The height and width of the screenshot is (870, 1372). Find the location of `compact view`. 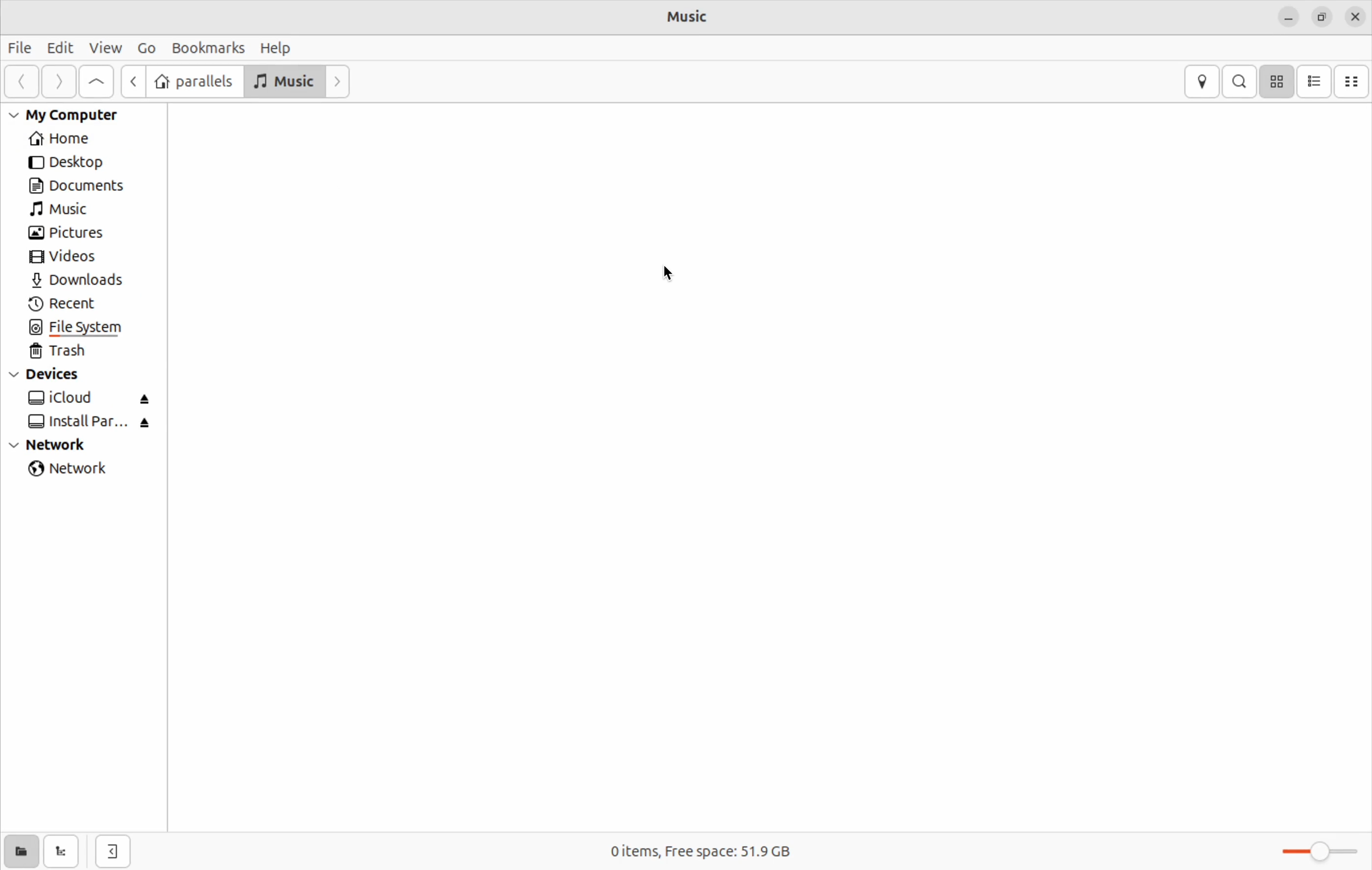

compact view is located at coordinates (1353, 82).